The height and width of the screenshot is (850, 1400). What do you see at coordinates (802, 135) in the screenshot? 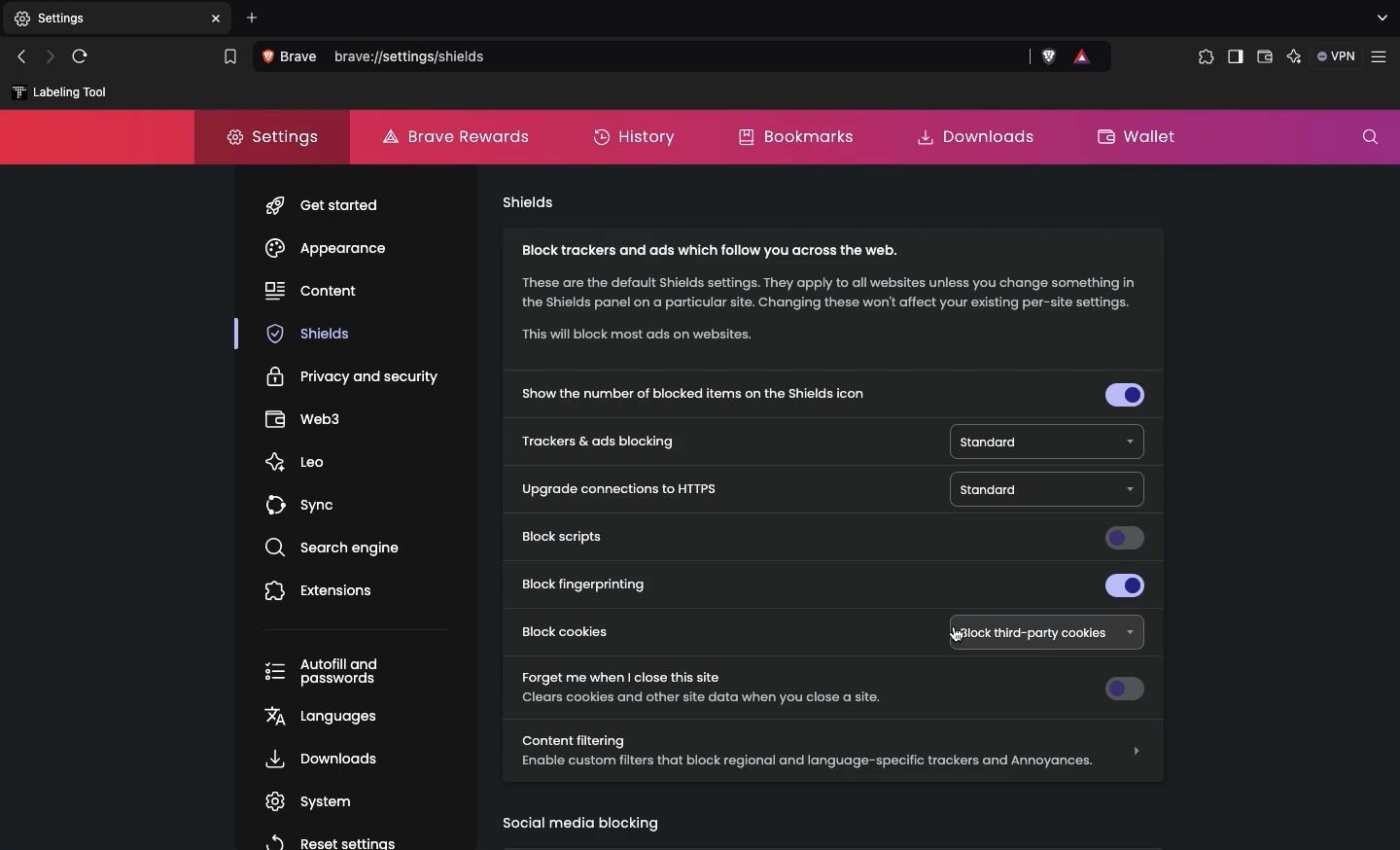
I see `Bookmarks` at bounding box center [802, 135].